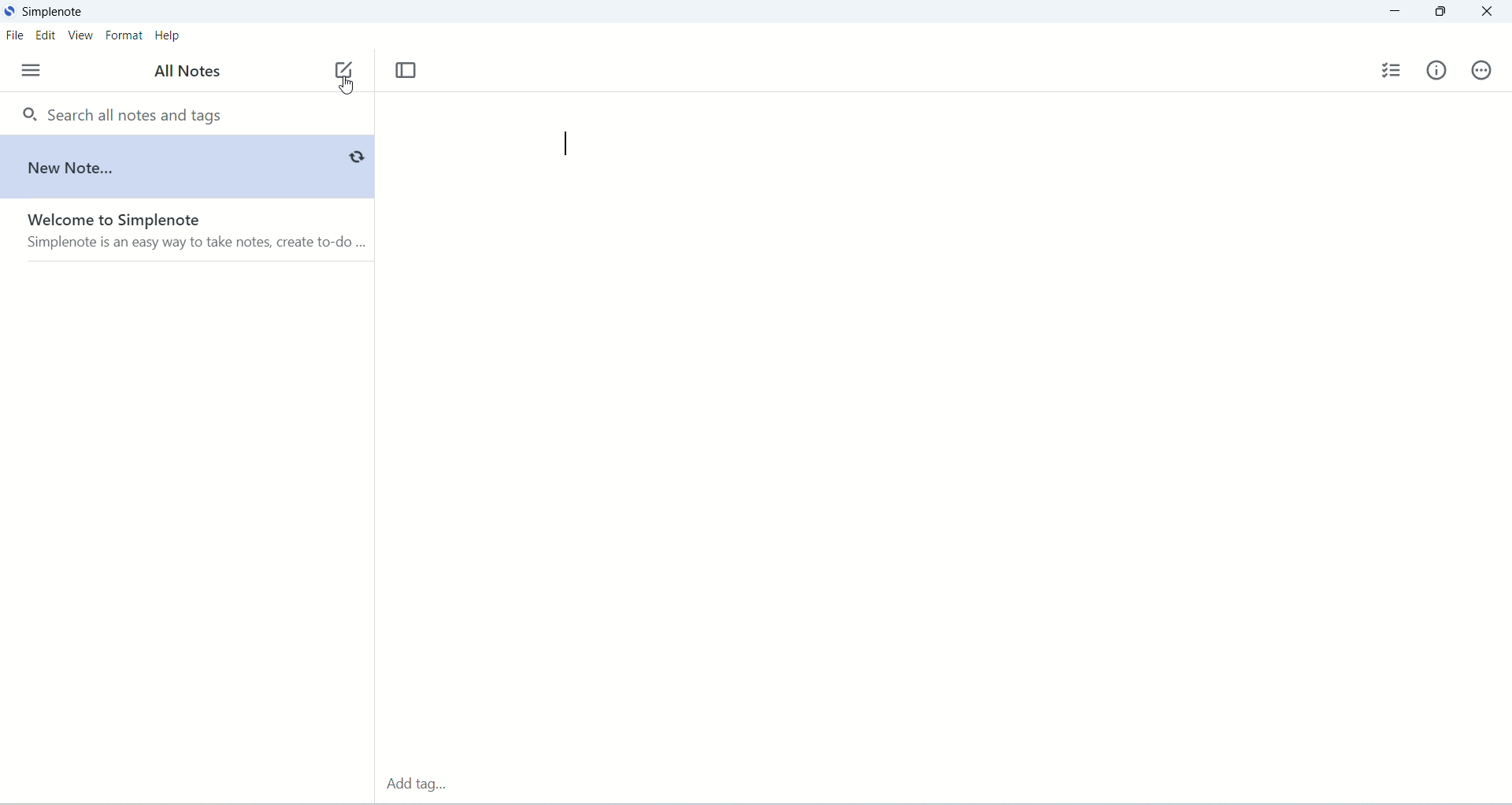 The height and width of the screenshot is (805, 1512). Describe the element at coordinates (406, 71) in the screenshot. I see `Toggle focus mode` at that location.